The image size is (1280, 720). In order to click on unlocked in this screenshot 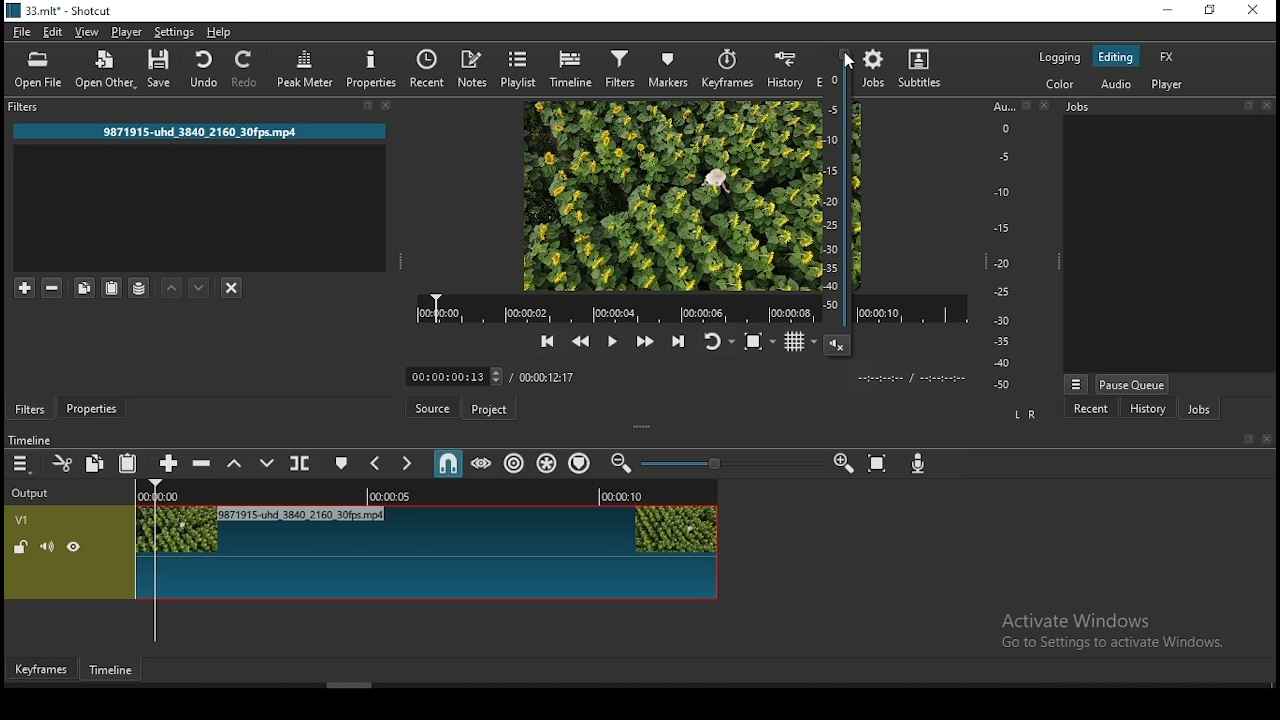, I will do `click(20, 547)`.